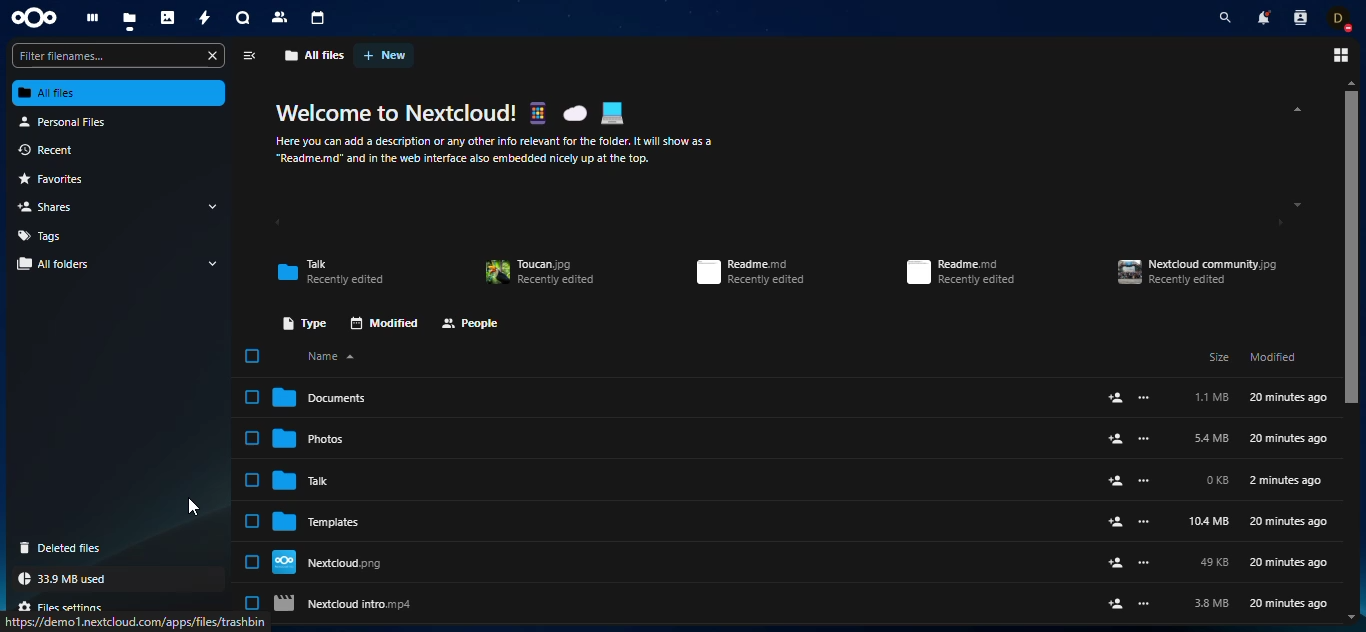 The width and height of the screenshot is (1366, 632). Describe the element at coordinates (1225, 17) in the screenshot. I see `Search` at that location.